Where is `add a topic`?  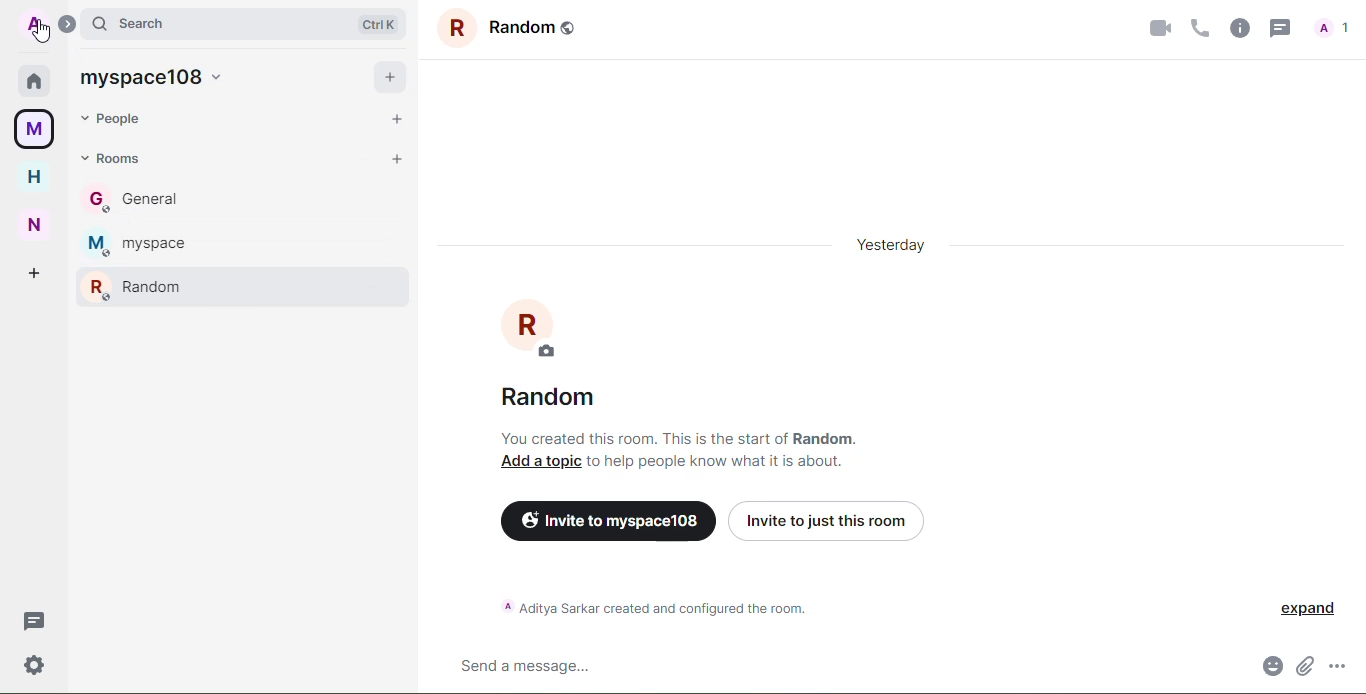
add a topic is located at coordinates (539, 460).